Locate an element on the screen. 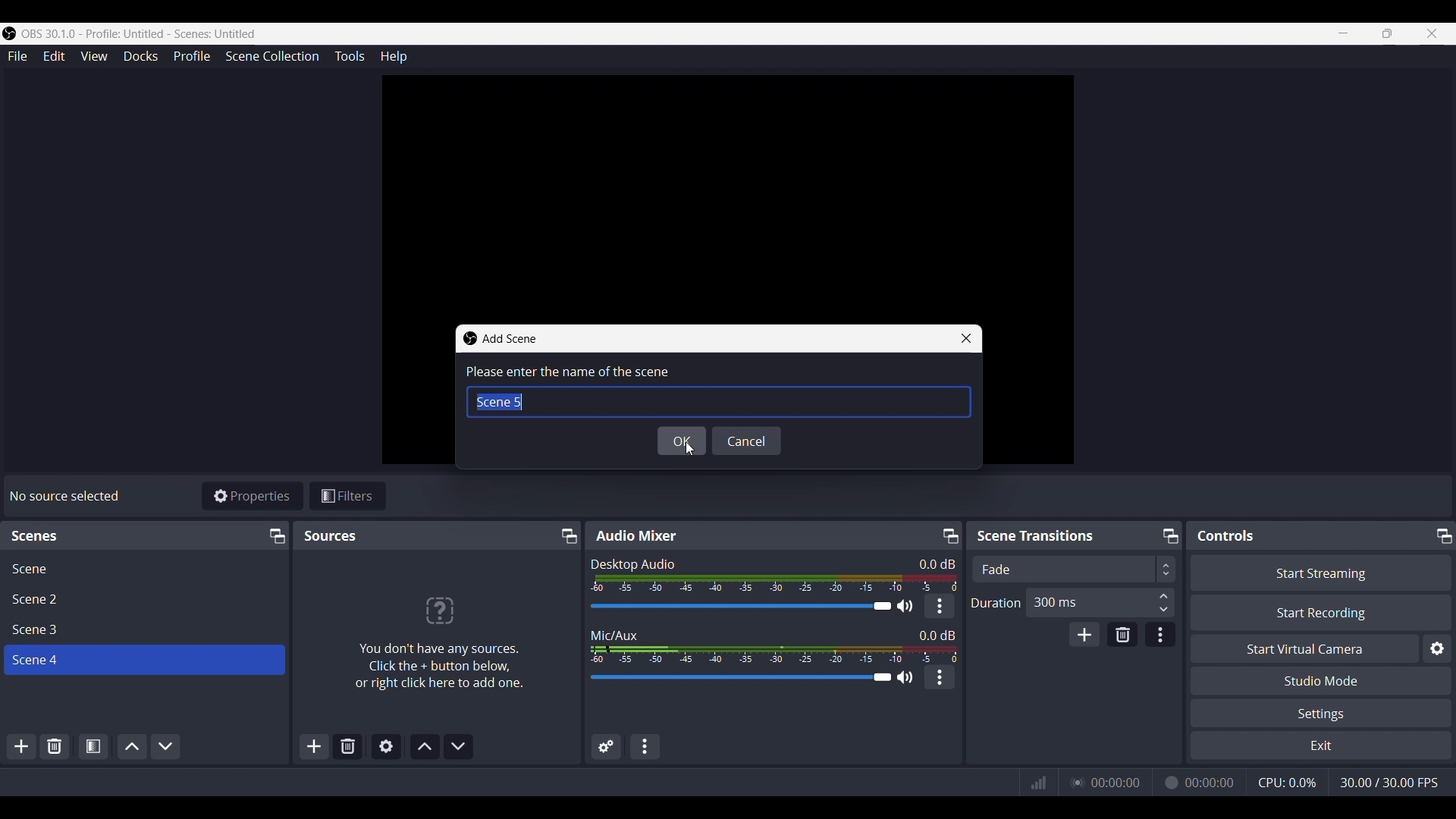  Help is located at coordinates (393, 56).